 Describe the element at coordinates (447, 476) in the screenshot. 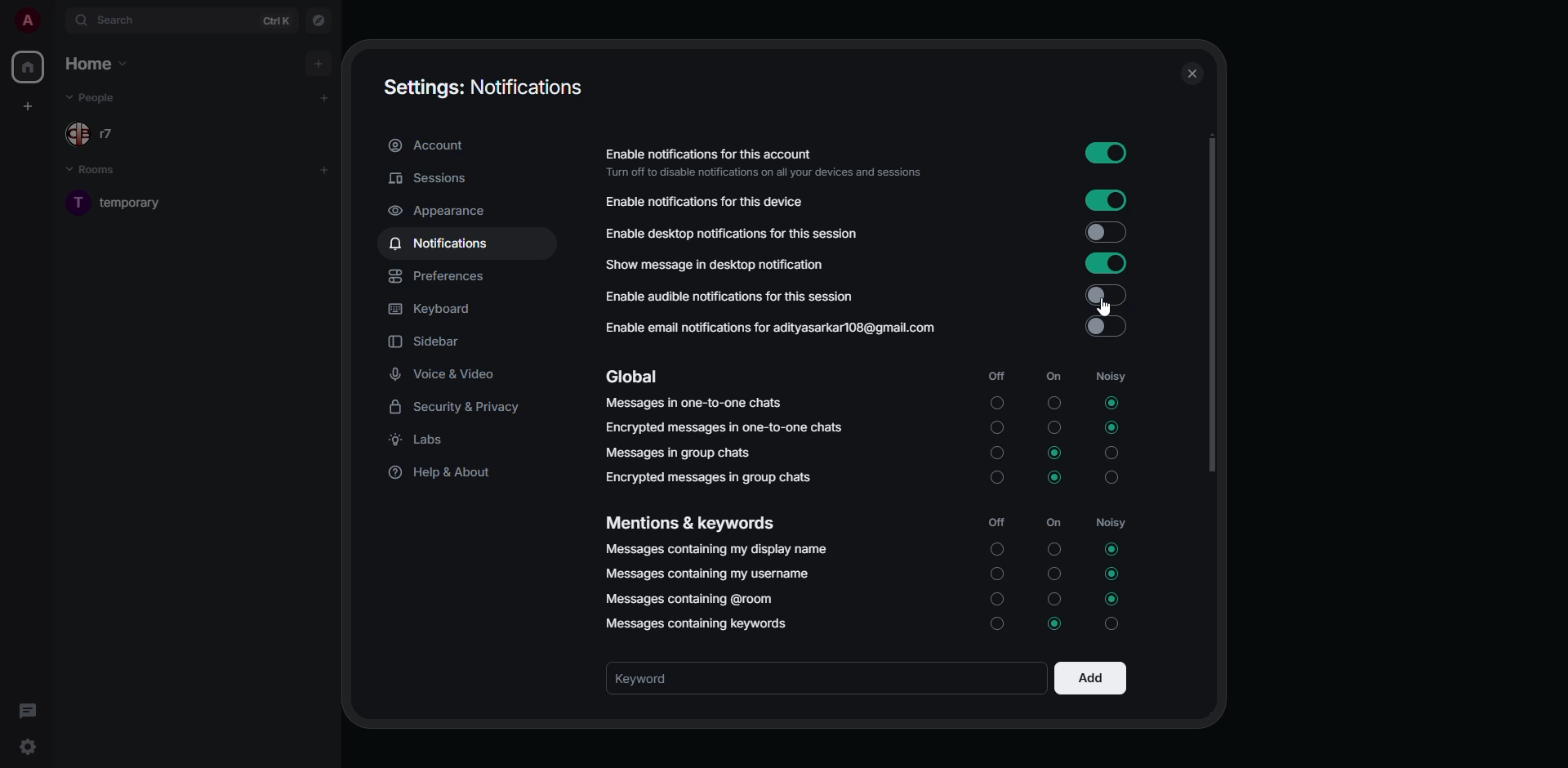

I see `help & about` at that location.